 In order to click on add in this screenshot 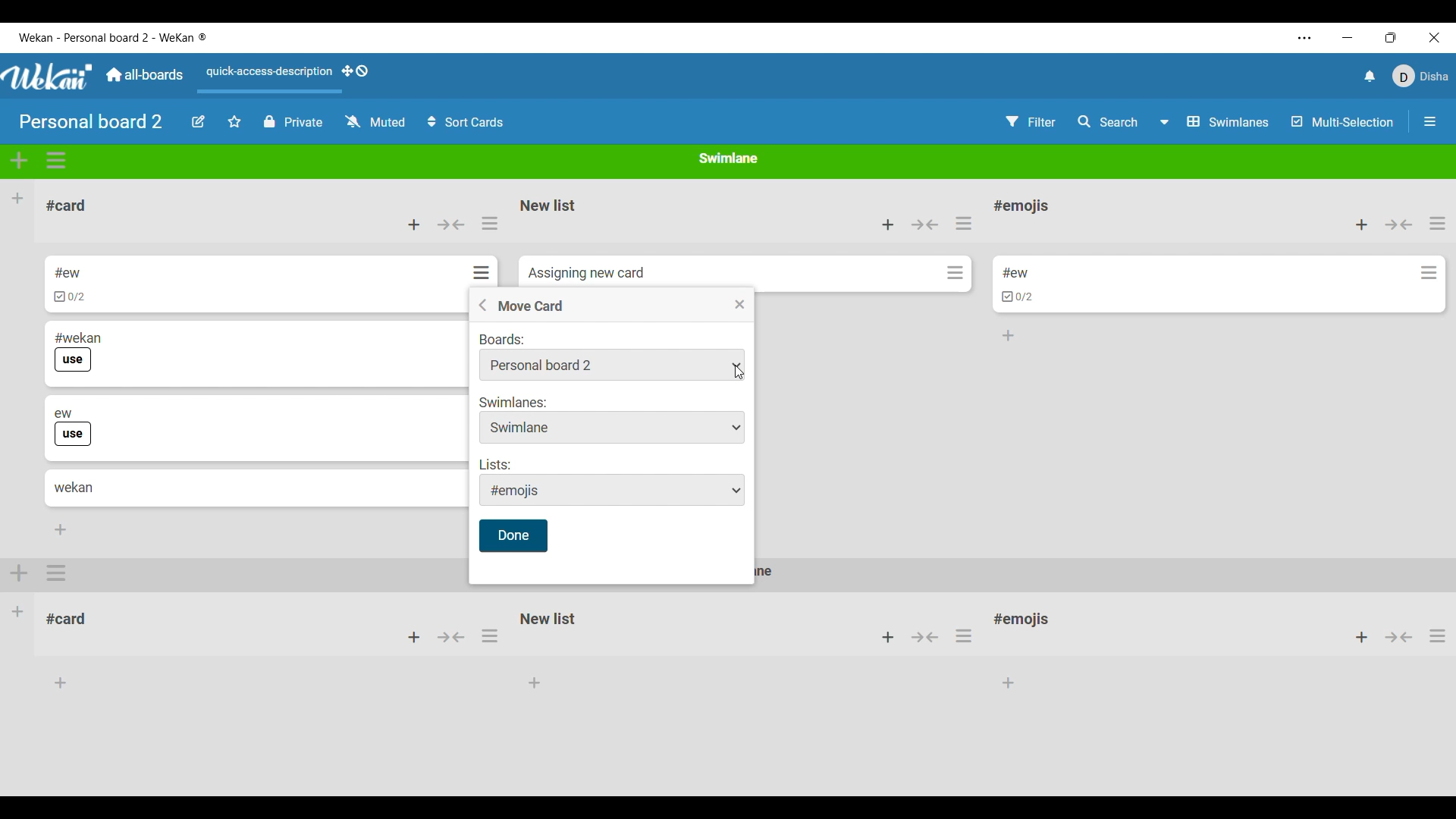, I will do `click(413, 638)`.